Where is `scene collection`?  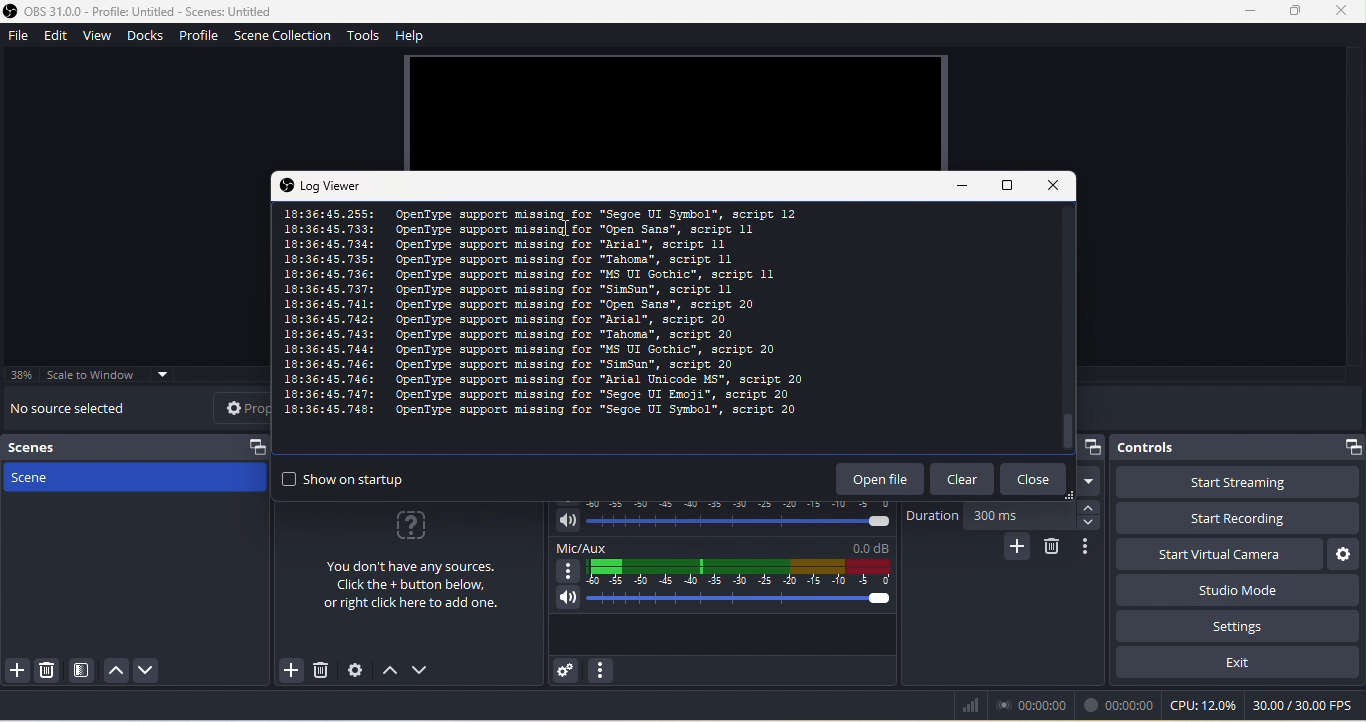
scene collection is located at coordinates (285, 37).